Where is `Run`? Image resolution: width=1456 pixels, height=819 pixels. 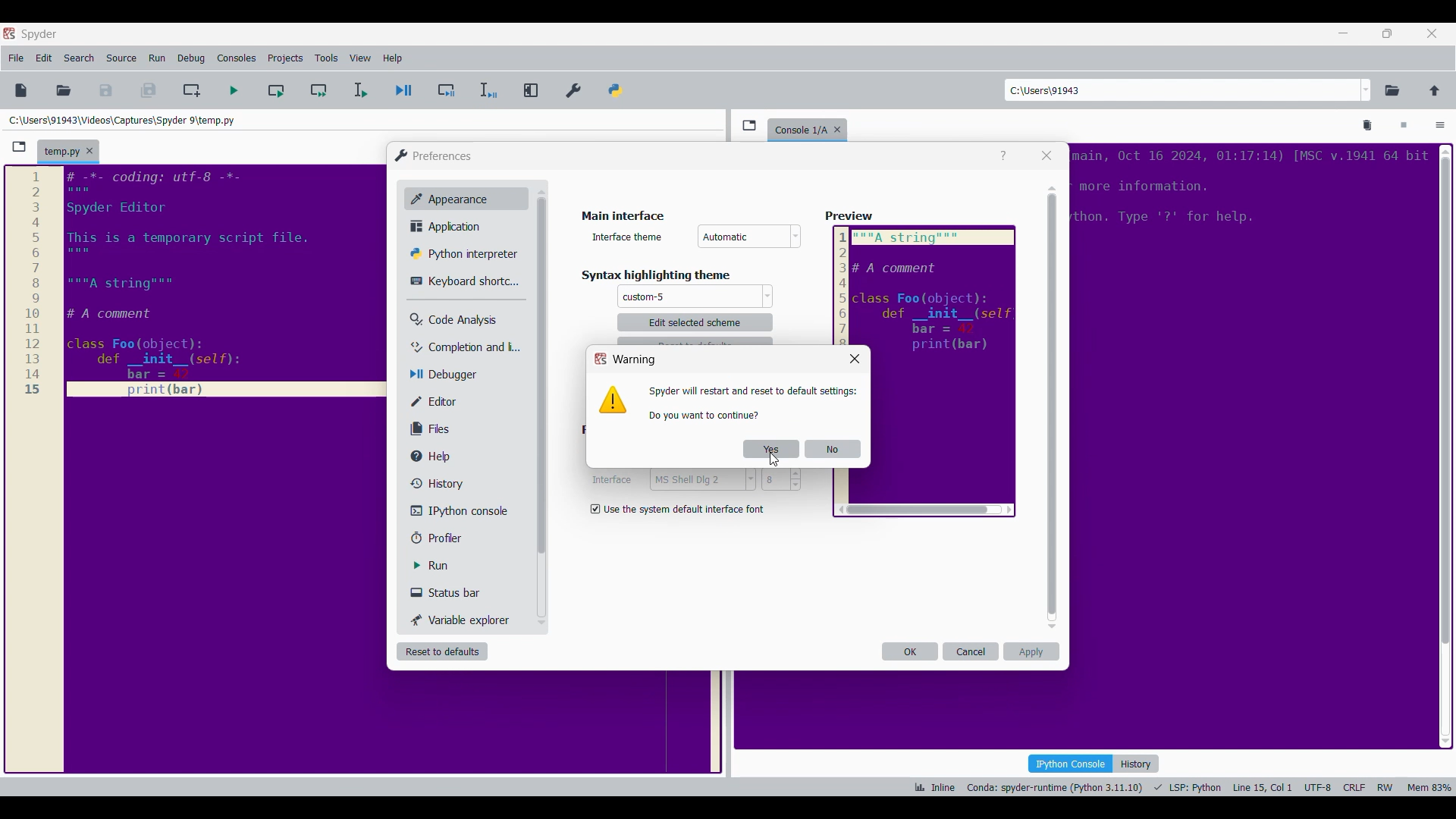
Run is located at coordinates (467, 566).